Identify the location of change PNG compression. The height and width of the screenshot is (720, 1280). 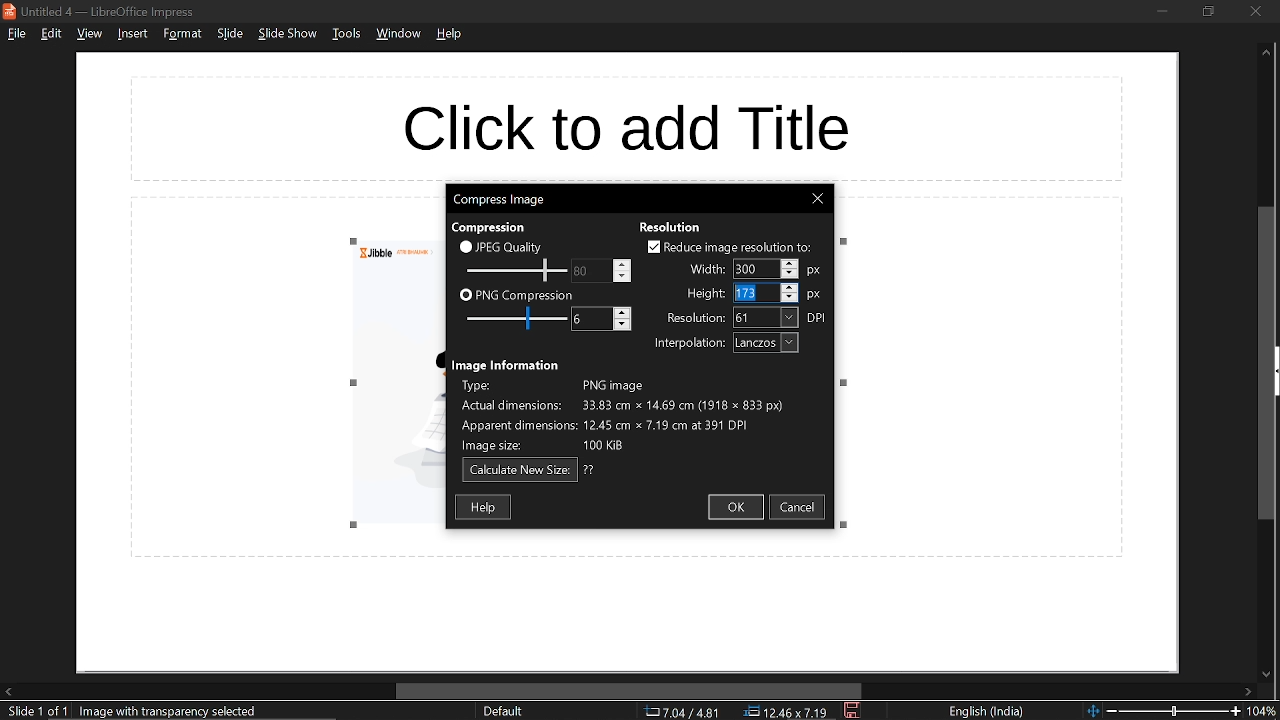
(582, 318).